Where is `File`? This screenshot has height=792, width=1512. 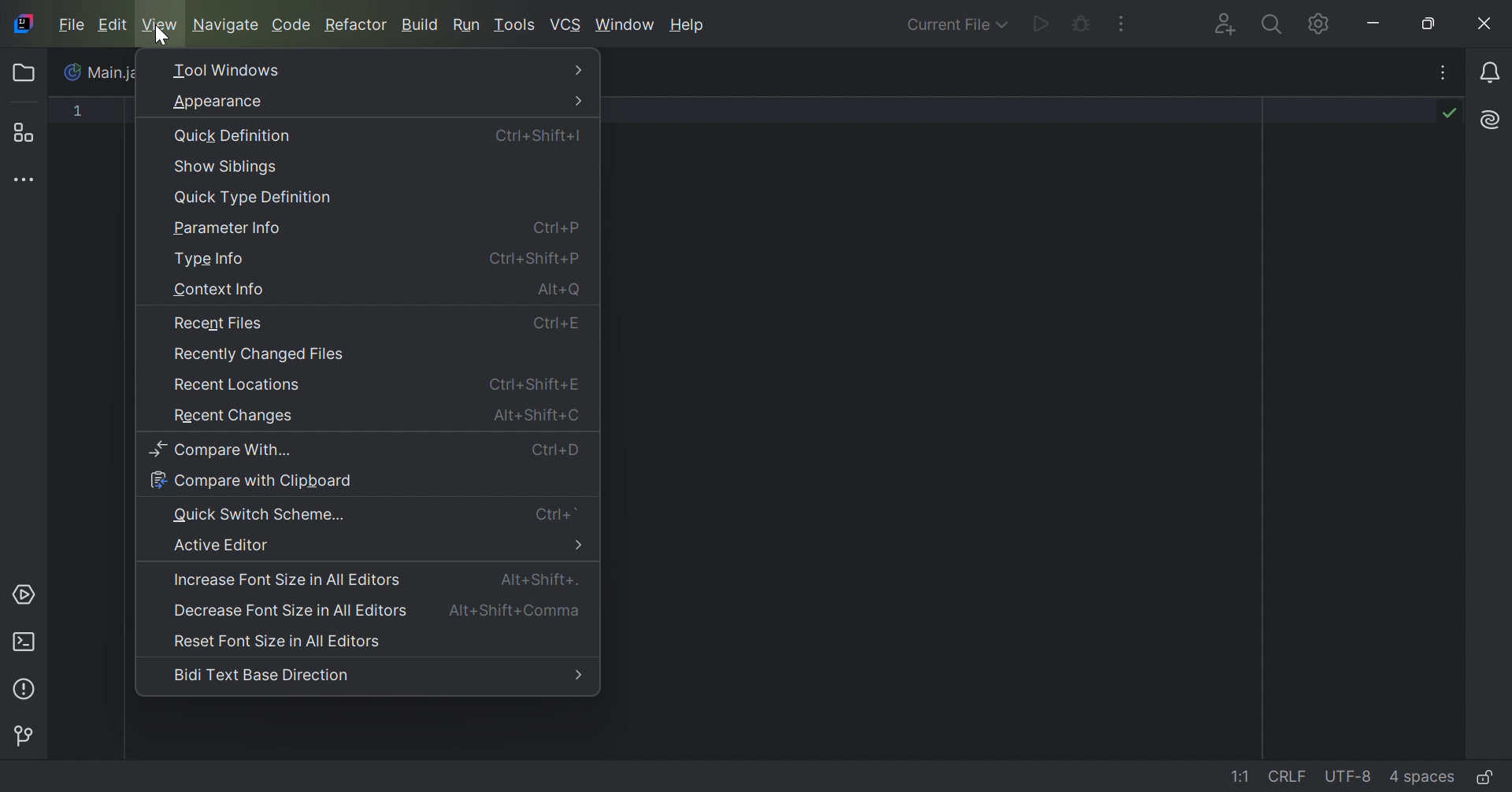
File is located at coordinates (69, 24).